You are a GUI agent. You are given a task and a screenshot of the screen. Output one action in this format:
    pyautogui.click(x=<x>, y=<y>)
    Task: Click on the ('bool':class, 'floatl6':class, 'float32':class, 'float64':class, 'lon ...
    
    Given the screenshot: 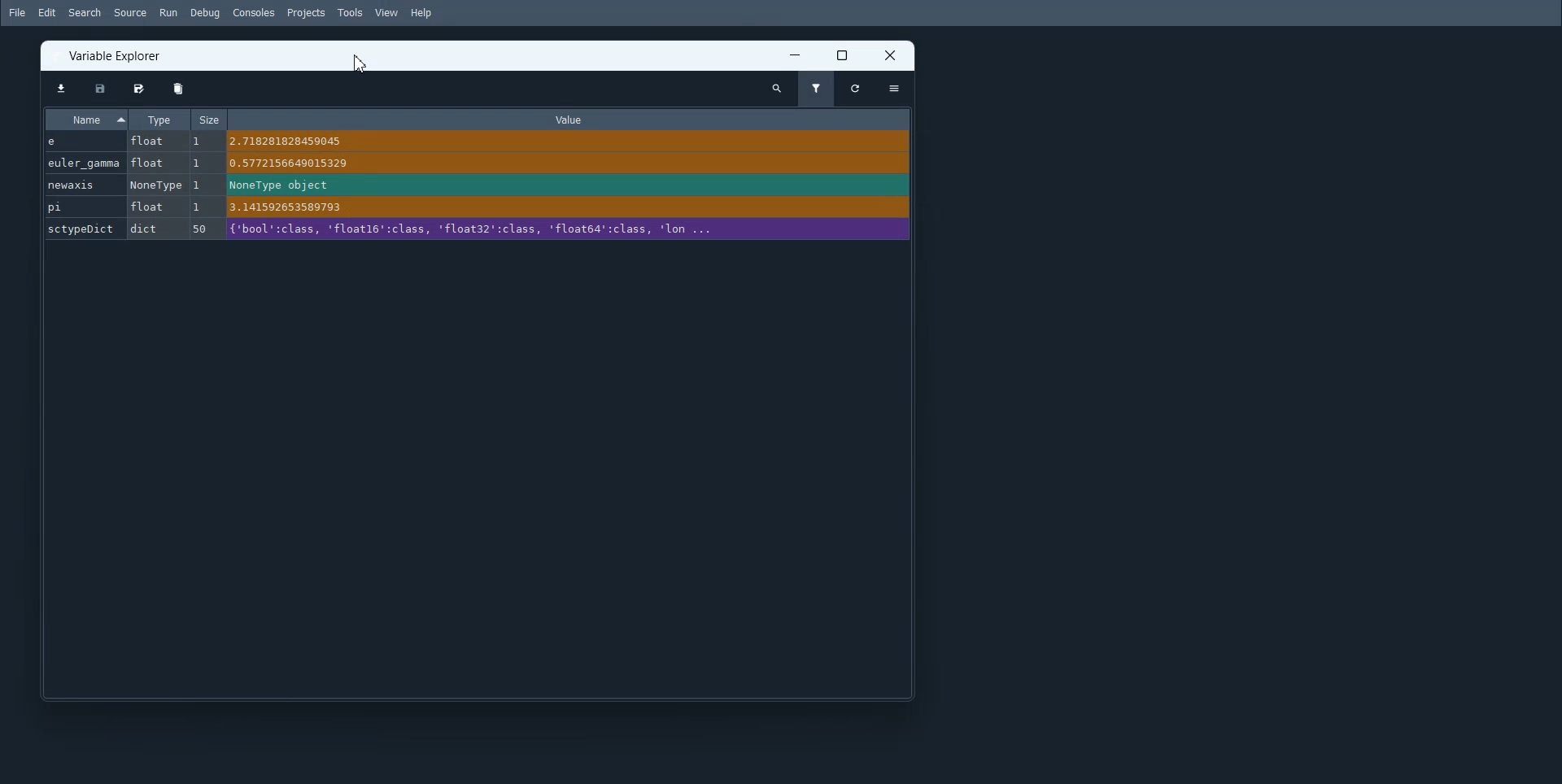 What is the action you would take?
    pyautogui.click(x=490, y=229)
    